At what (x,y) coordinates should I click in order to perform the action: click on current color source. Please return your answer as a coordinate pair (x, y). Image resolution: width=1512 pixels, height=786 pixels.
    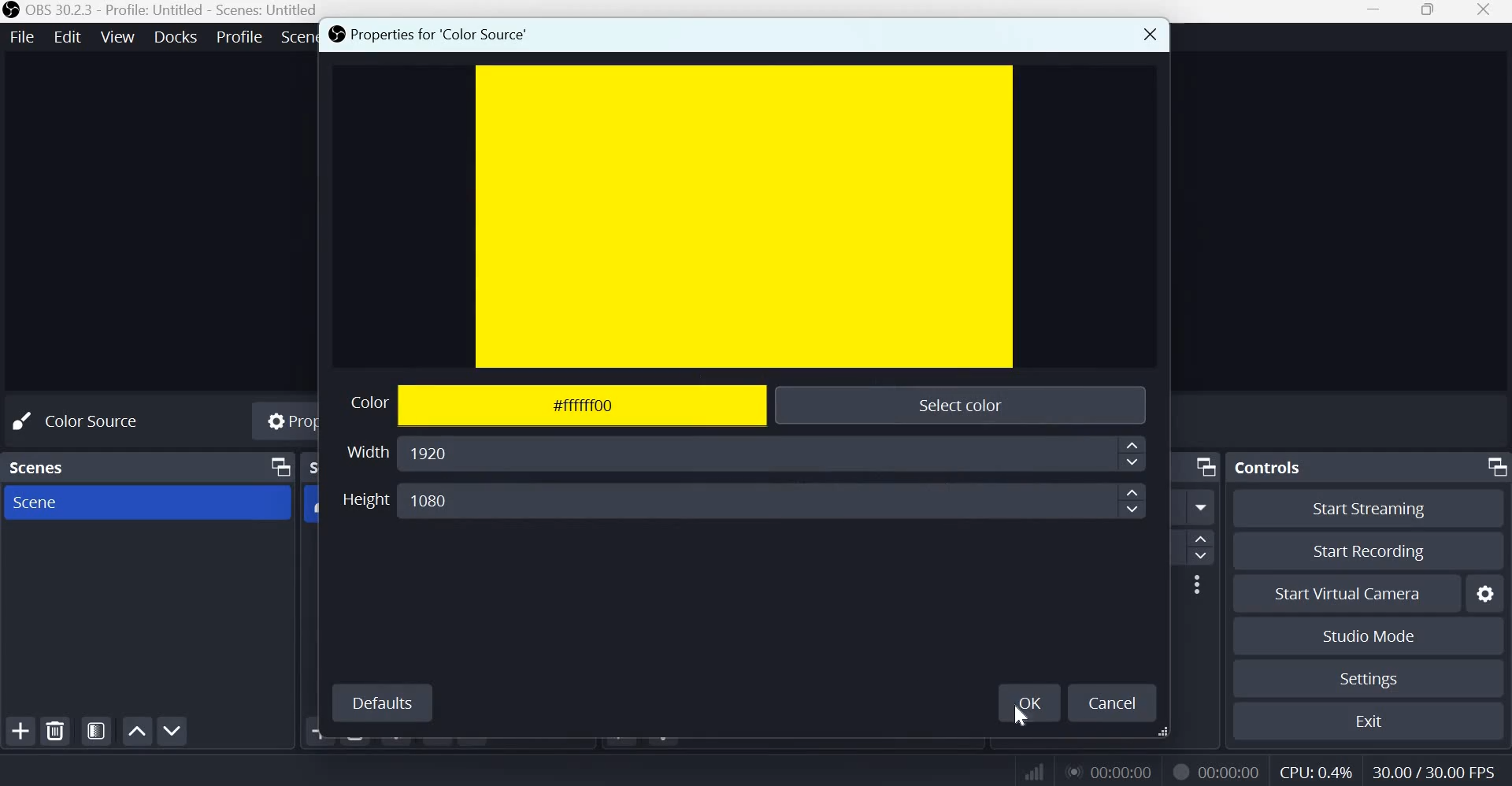
    Looking at the image, I should click on (745, 217).